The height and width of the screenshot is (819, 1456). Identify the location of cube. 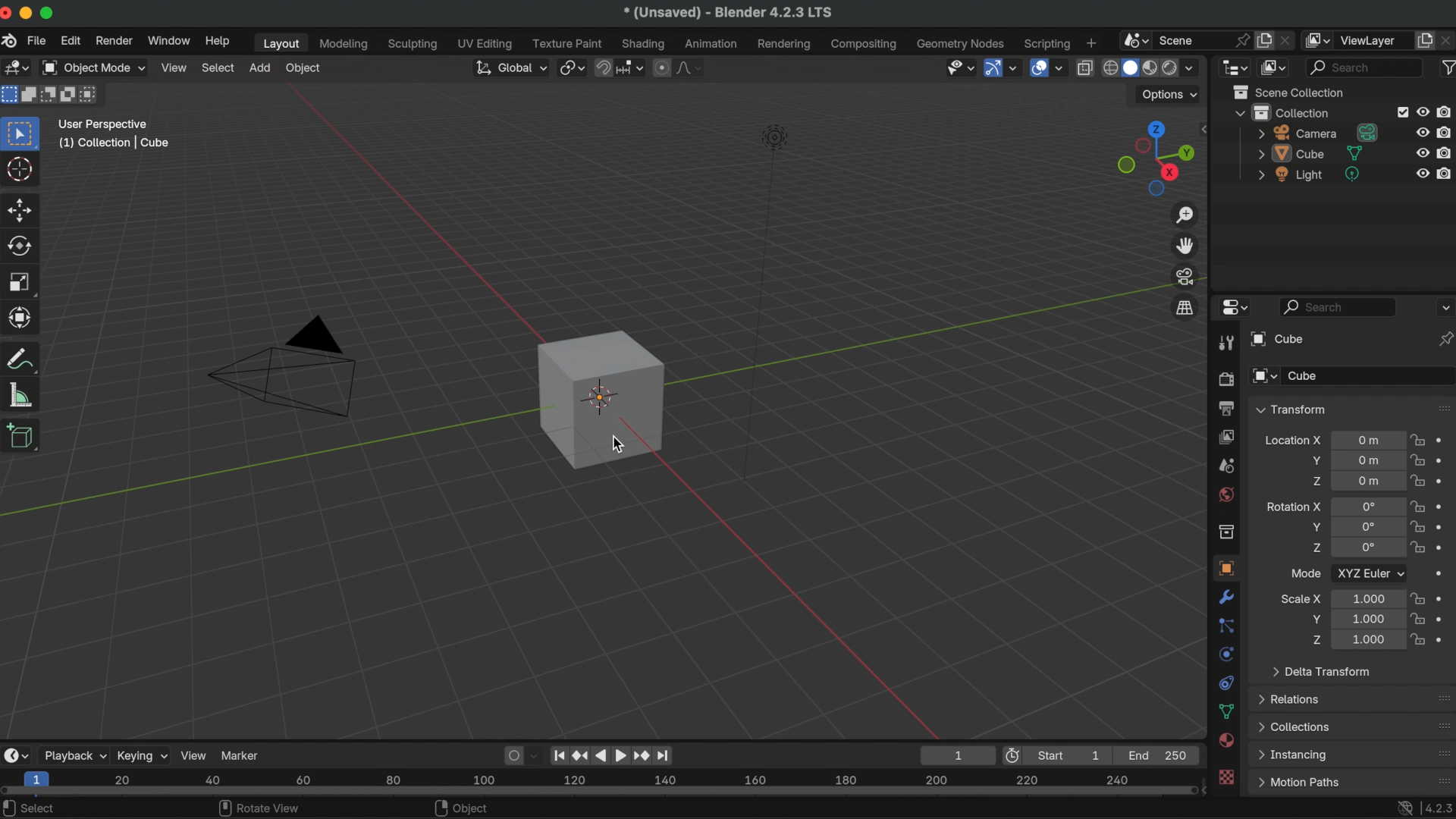
(1310, 153).